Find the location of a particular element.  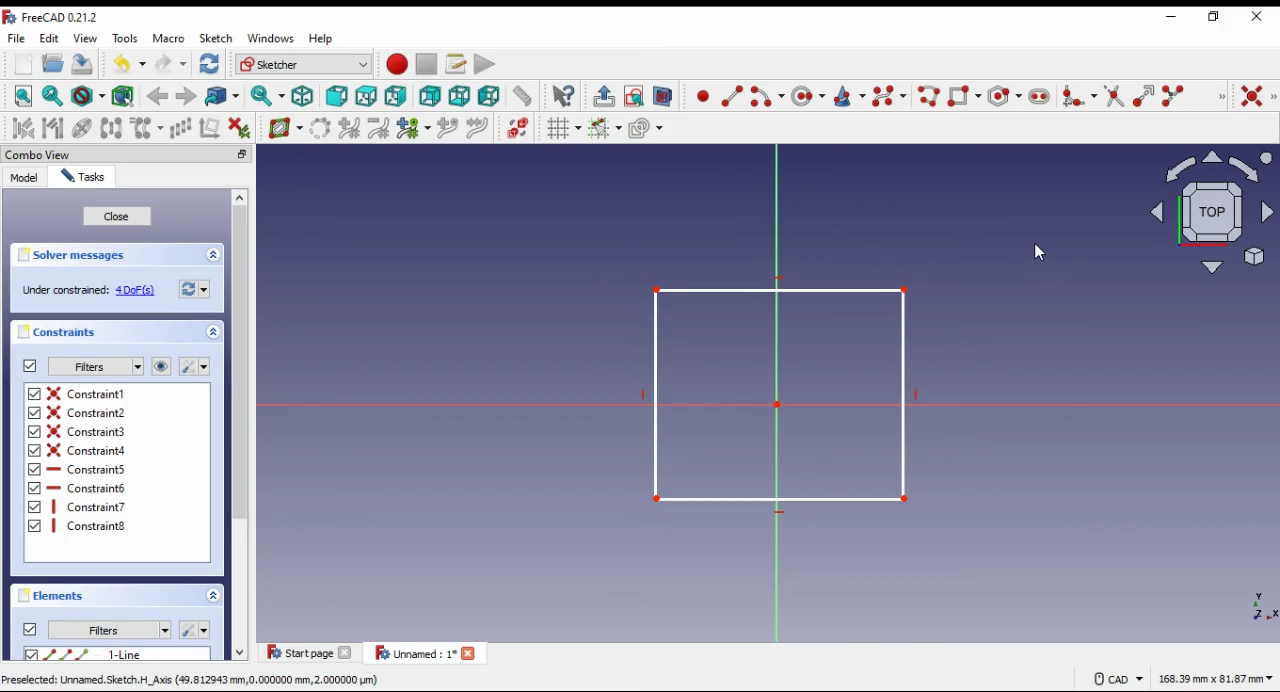

show/hide all constraints in 3D view is located at coordinates (162, 366).